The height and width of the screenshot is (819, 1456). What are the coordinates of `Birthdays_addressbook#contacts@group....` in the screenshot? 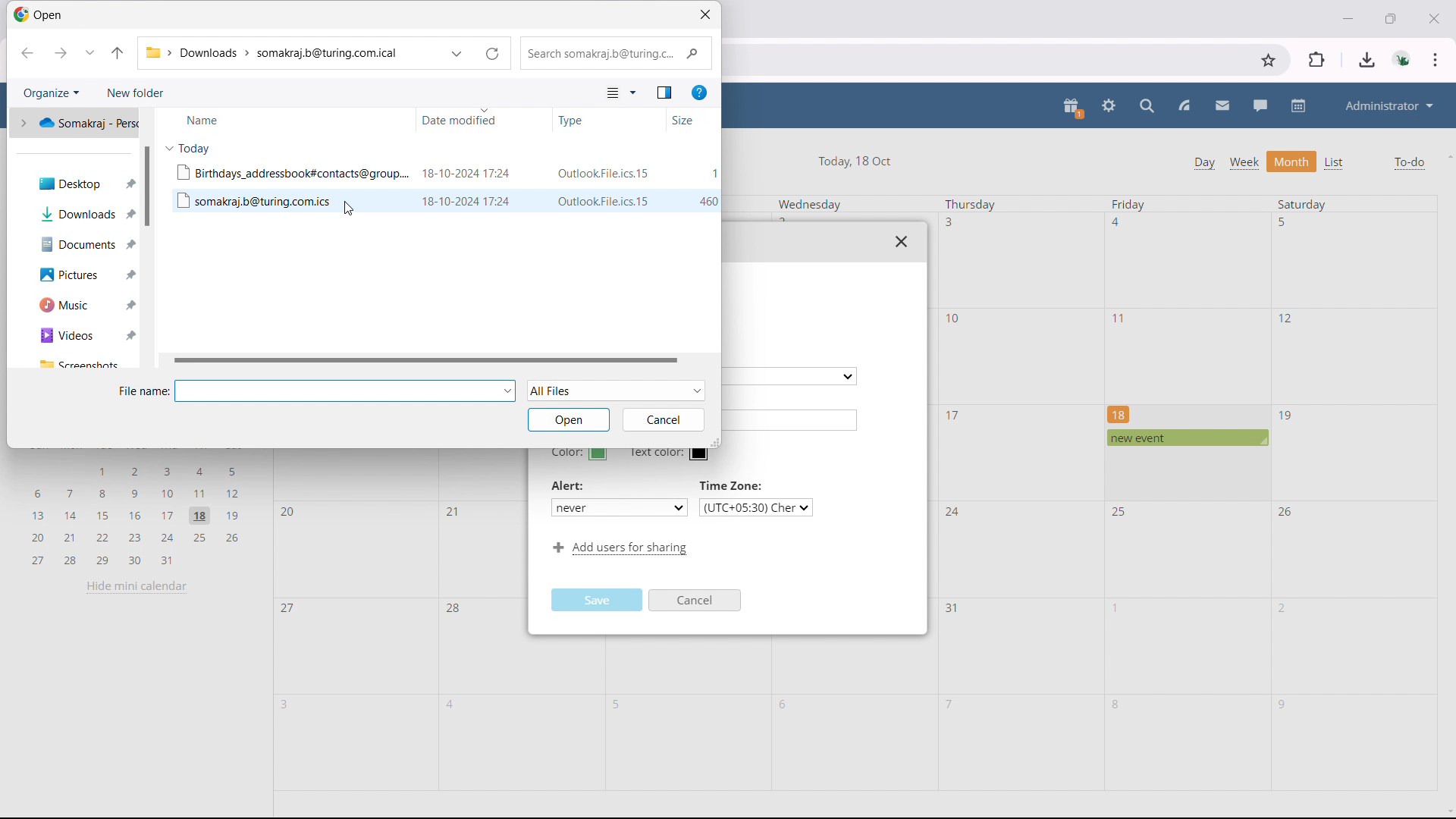 It's located at (292, 172).